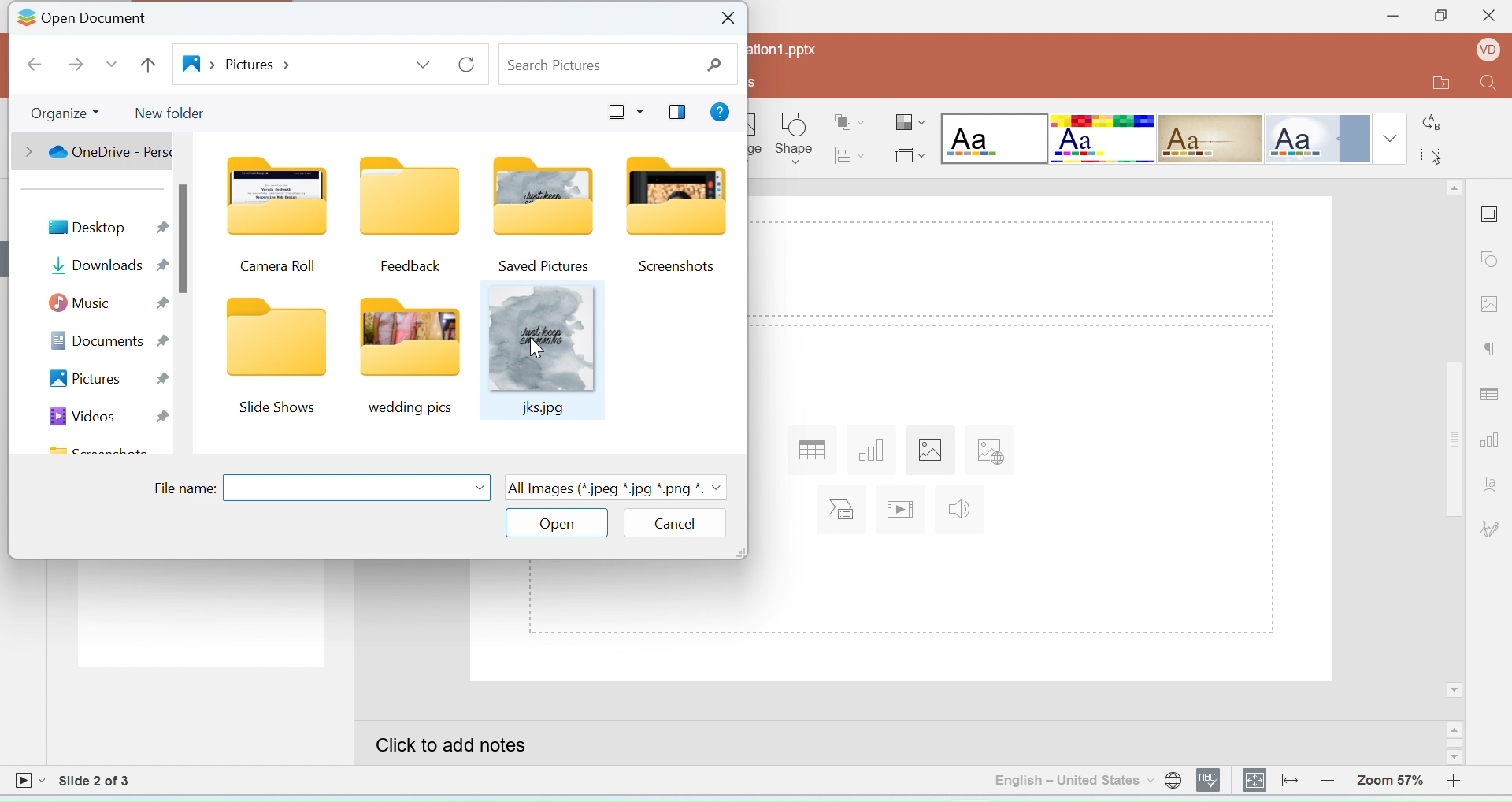 This screenshot has height=802, width=1512. Describe the element at coordinates (678, 112) in the screenshot. I see `show the preview pane` at that location.